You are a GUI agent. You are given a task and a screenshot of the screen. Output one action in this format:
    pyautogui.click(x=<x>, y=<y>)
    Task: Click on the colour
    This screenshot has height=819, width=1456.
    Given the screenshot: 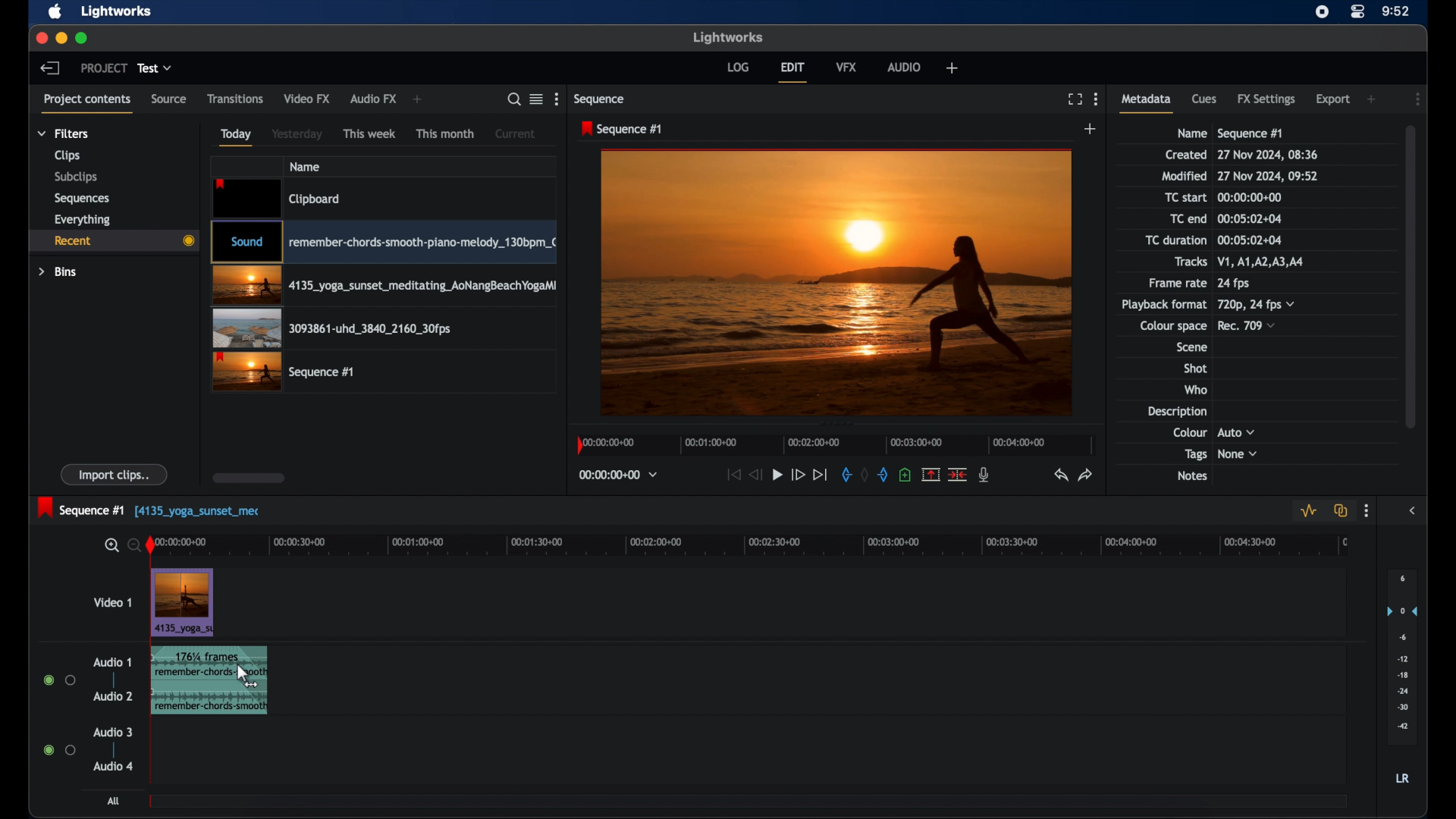 What is the action you would take?
    pyautogui.click(x=1189, y=431)
    